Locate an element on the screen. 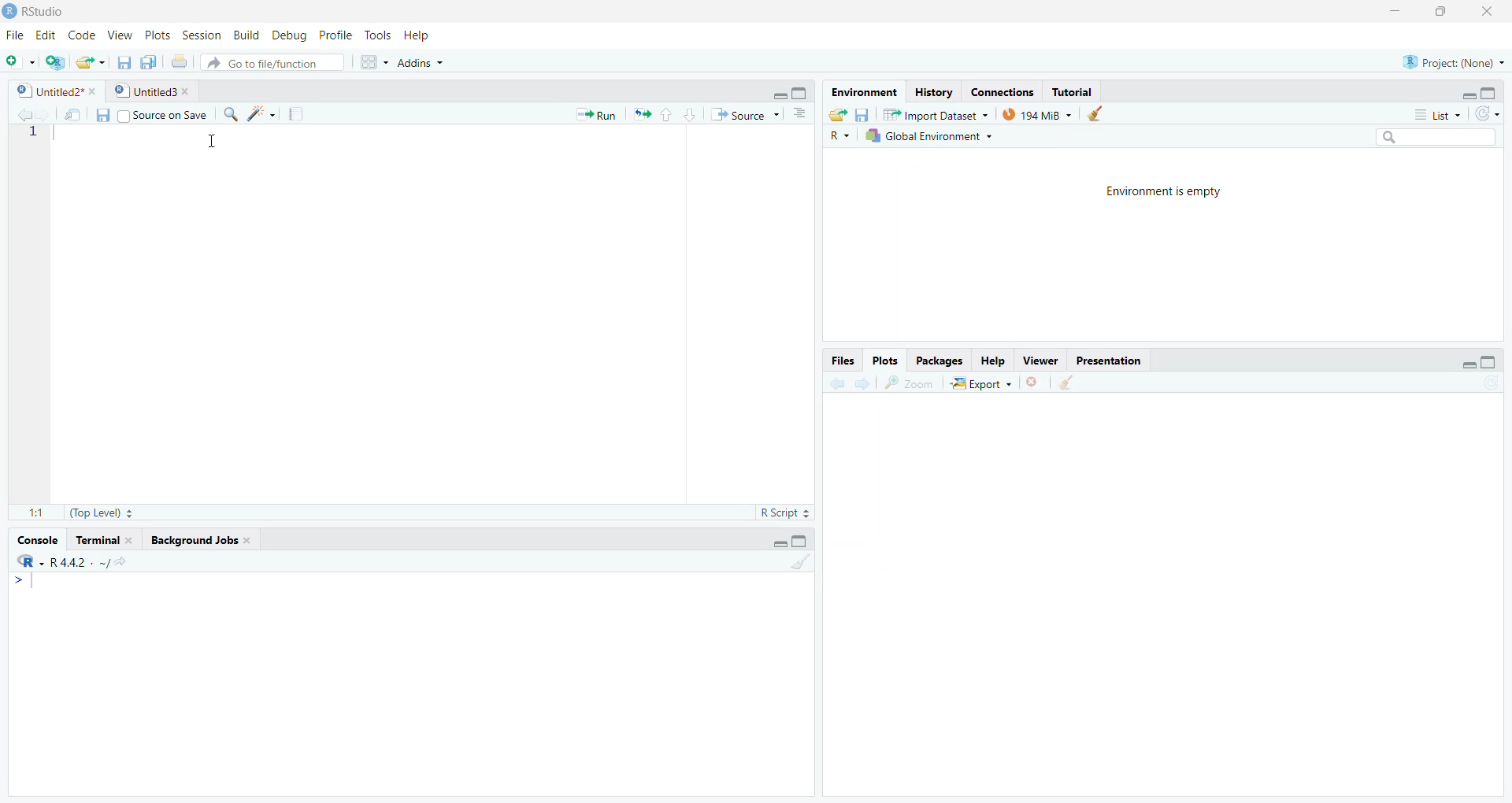 The height and width of the screenshot is (803, 1512).  Addins  is located at coordinates (422, 61).